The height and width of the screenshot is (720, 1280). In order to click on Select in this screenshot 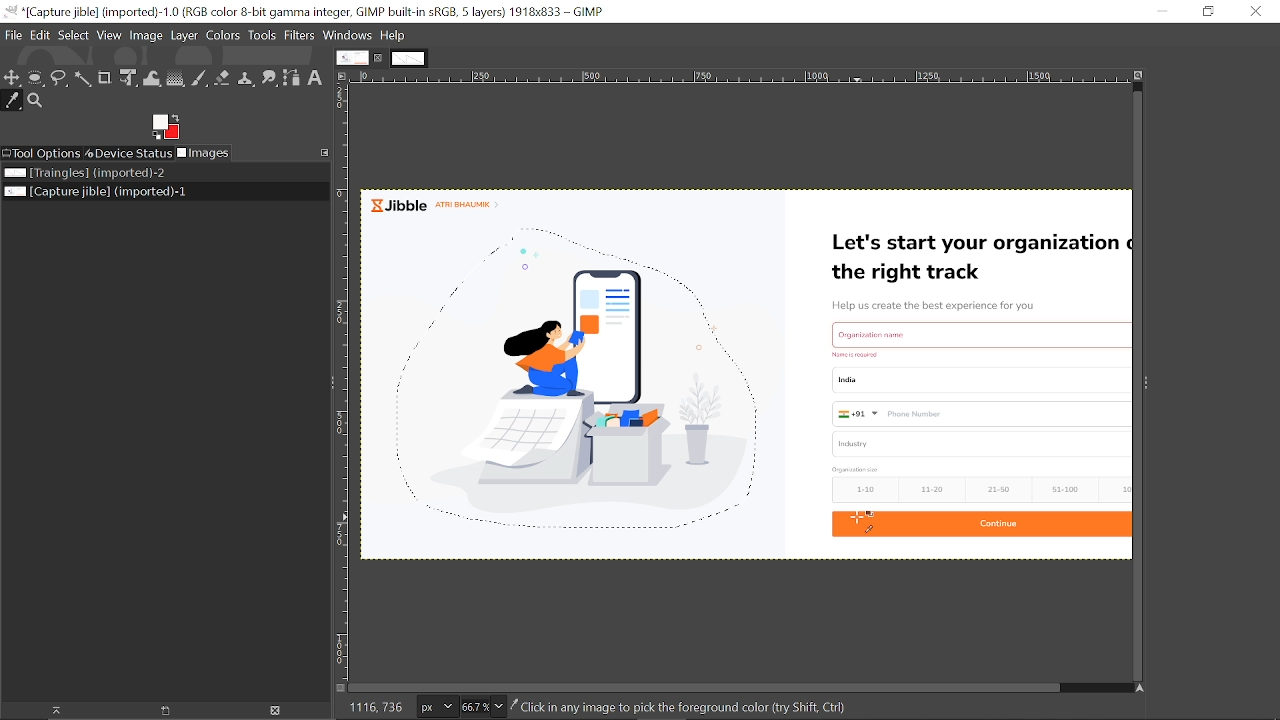, I will do `click(74, 36)`.